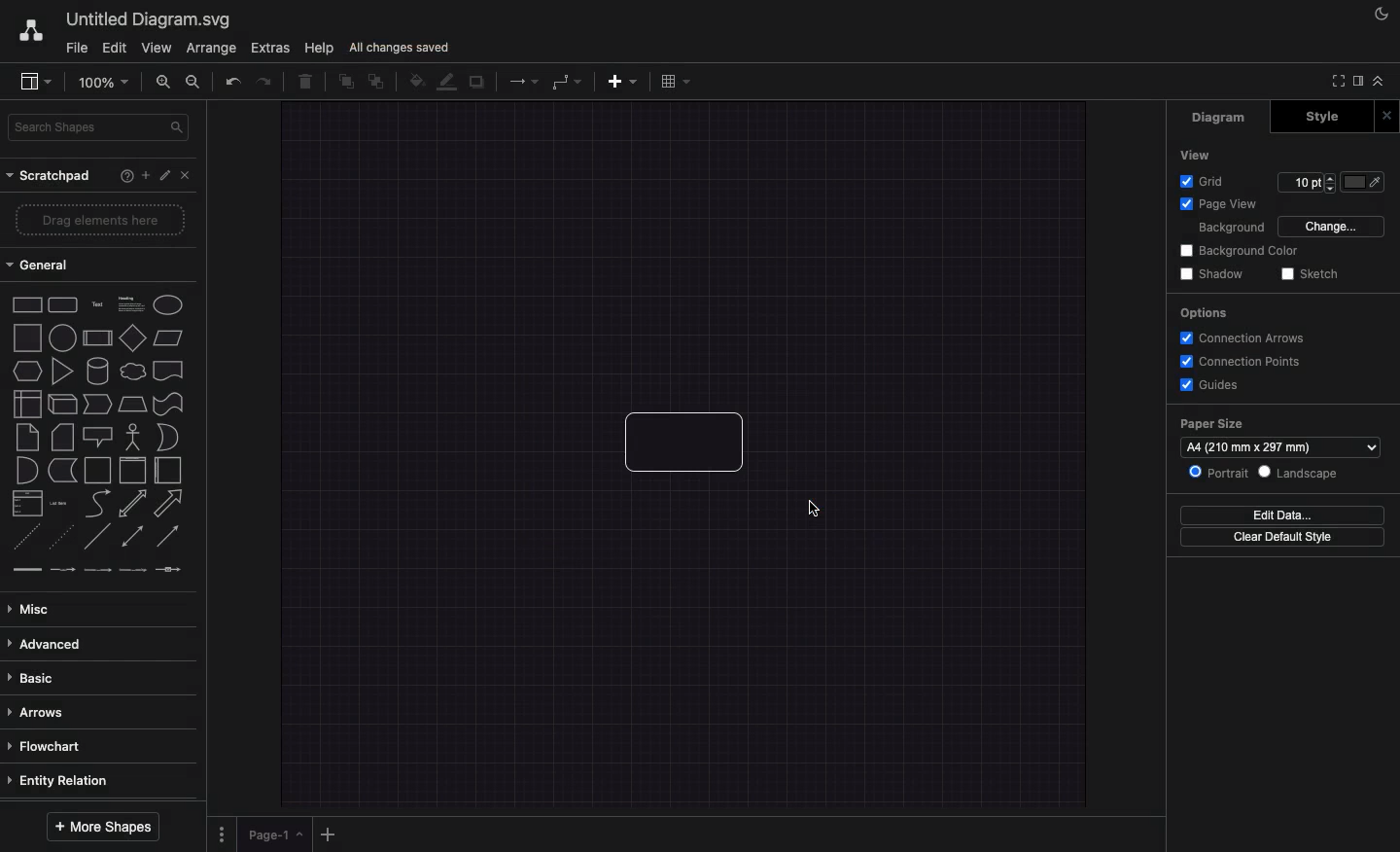  I want to click on Fullscreen, so click(1335, 83).